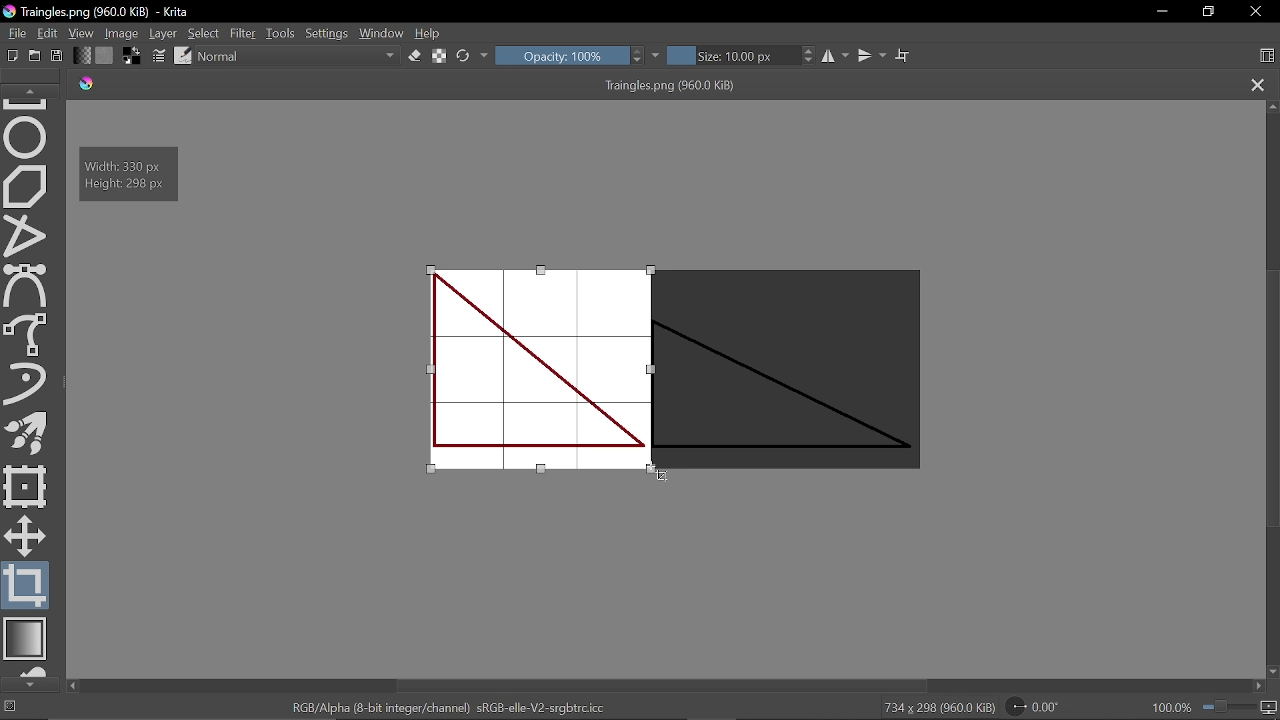 The image size is (1280, 720). Describe the element at coordinates (26, 383) in the screenshot. I see `Dynamic brush tool` at that location.